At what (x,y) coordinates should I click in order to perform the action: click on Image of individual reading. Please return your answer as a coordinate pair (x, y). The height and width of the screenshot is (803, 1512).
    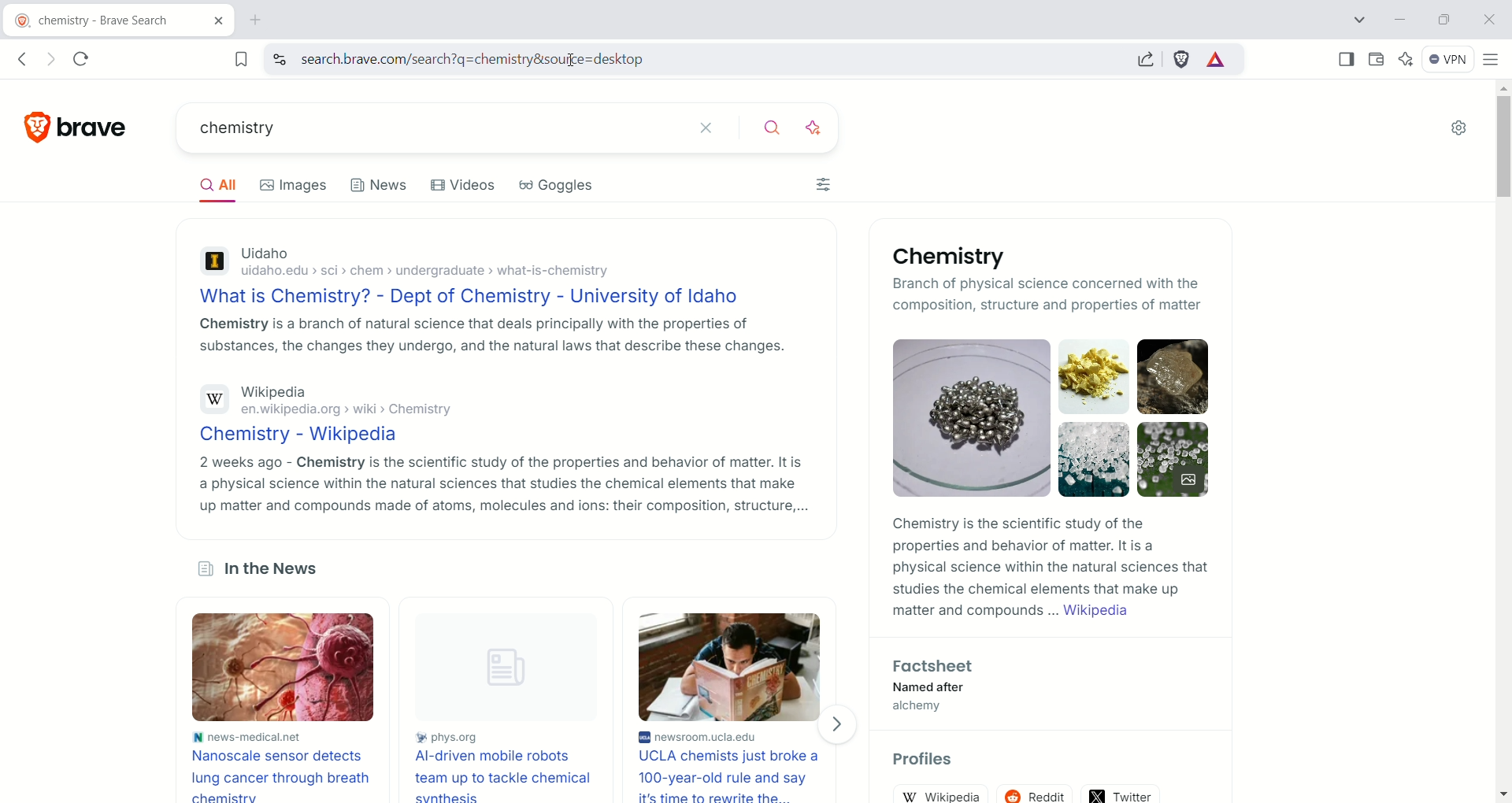
    Looking at the image, I should click on (728, 667).